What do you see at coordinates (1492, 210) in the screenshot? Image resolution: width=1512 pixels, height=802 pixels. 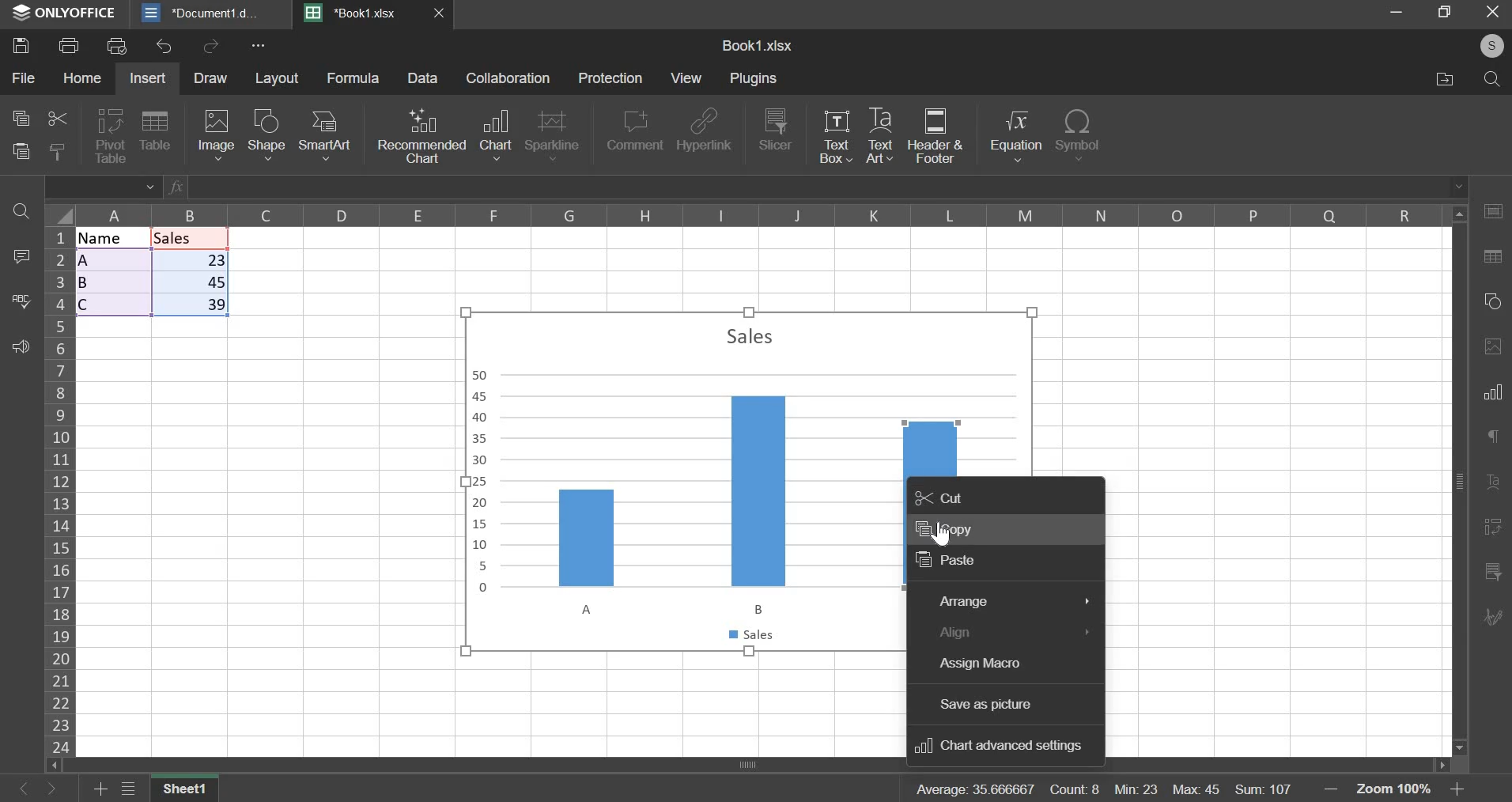 I see `Table Tool` at bounding box center [1492, 210].